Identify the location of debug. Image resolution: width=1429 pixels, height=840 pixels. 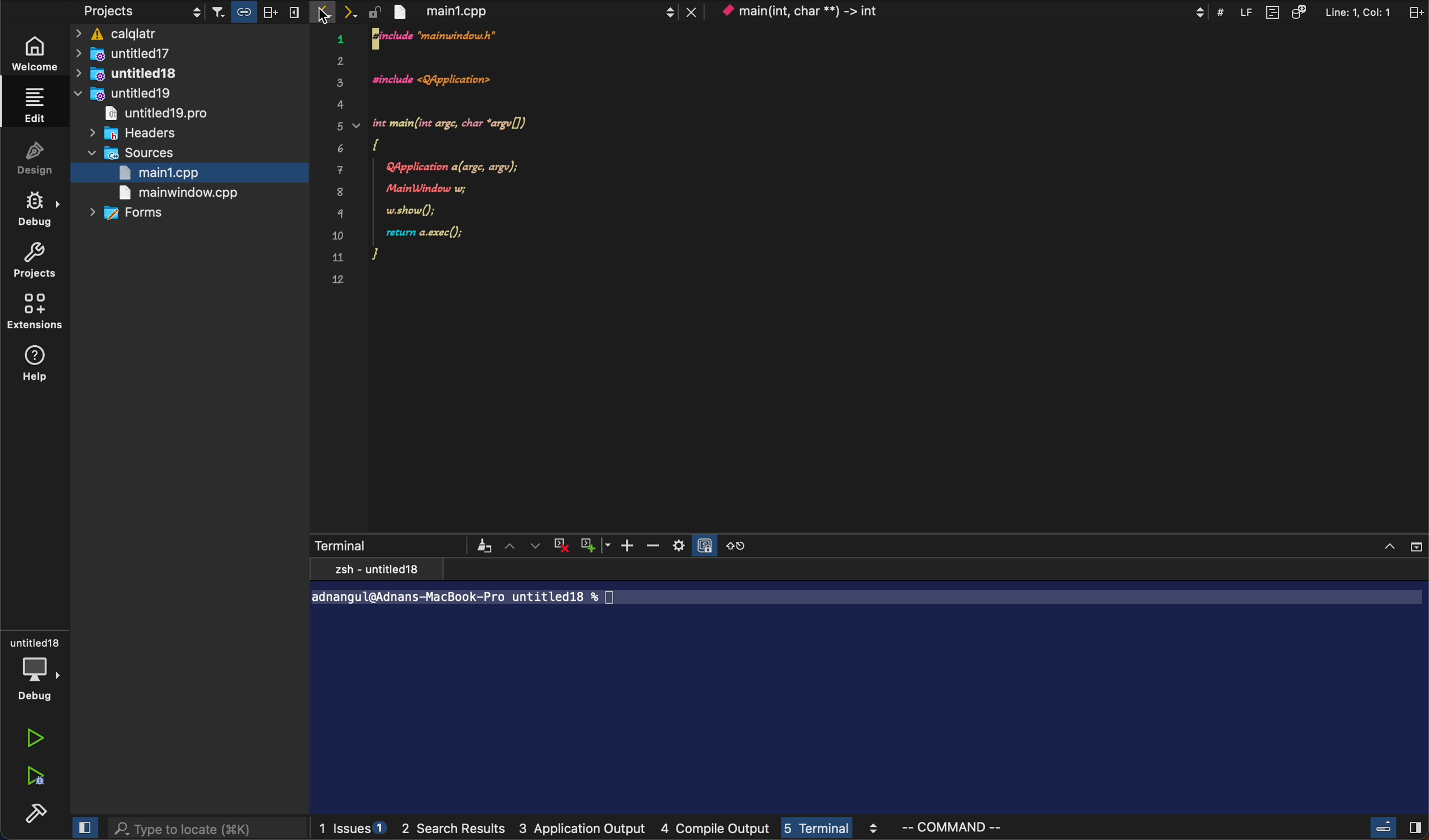
(35, 669).